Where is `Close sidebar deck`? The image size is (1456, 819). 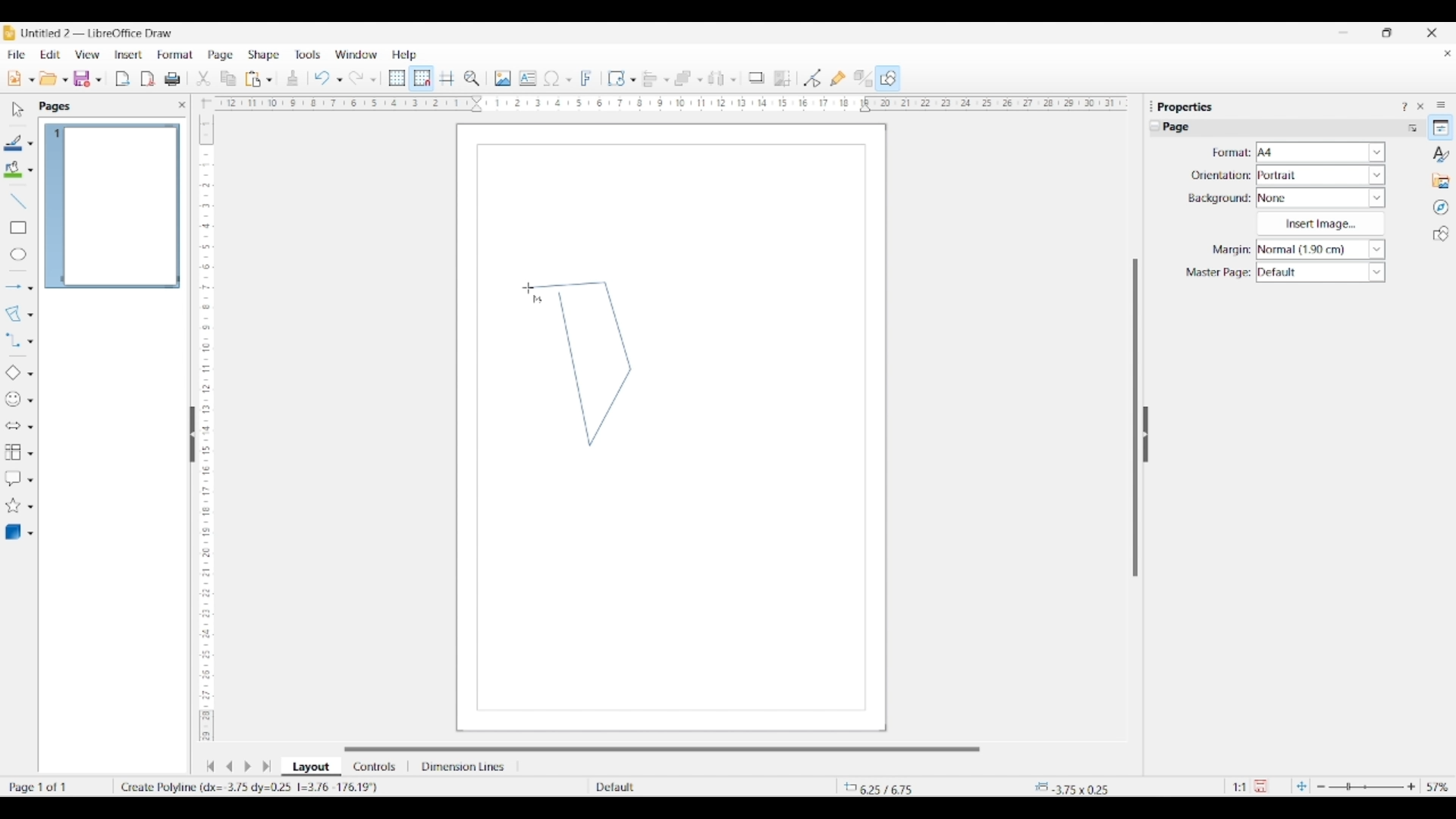
Close sidebar deck is located at coordinates (1420, 106).